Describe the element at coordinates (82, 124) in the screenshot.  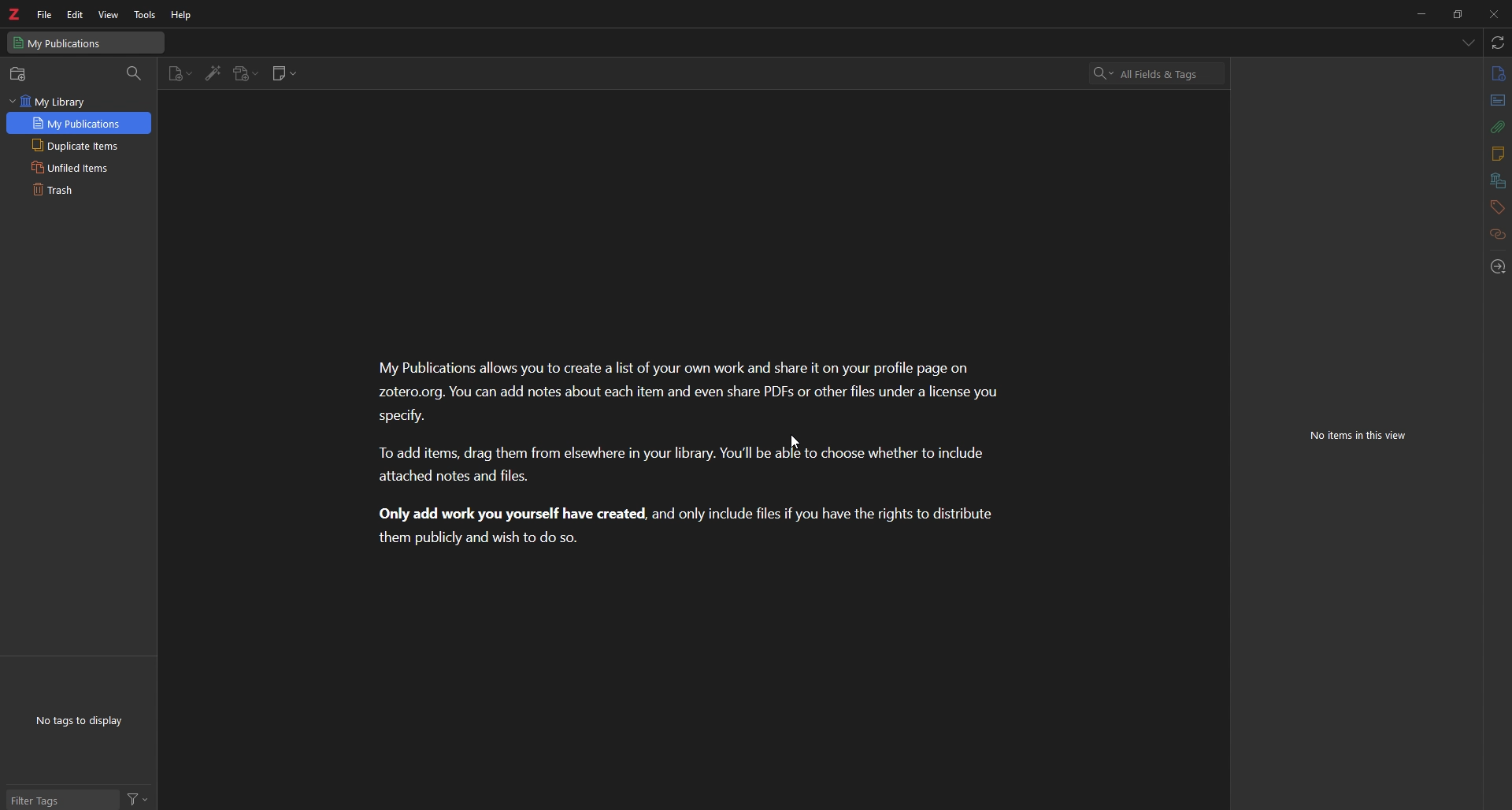
I see `newsearch` at that location.